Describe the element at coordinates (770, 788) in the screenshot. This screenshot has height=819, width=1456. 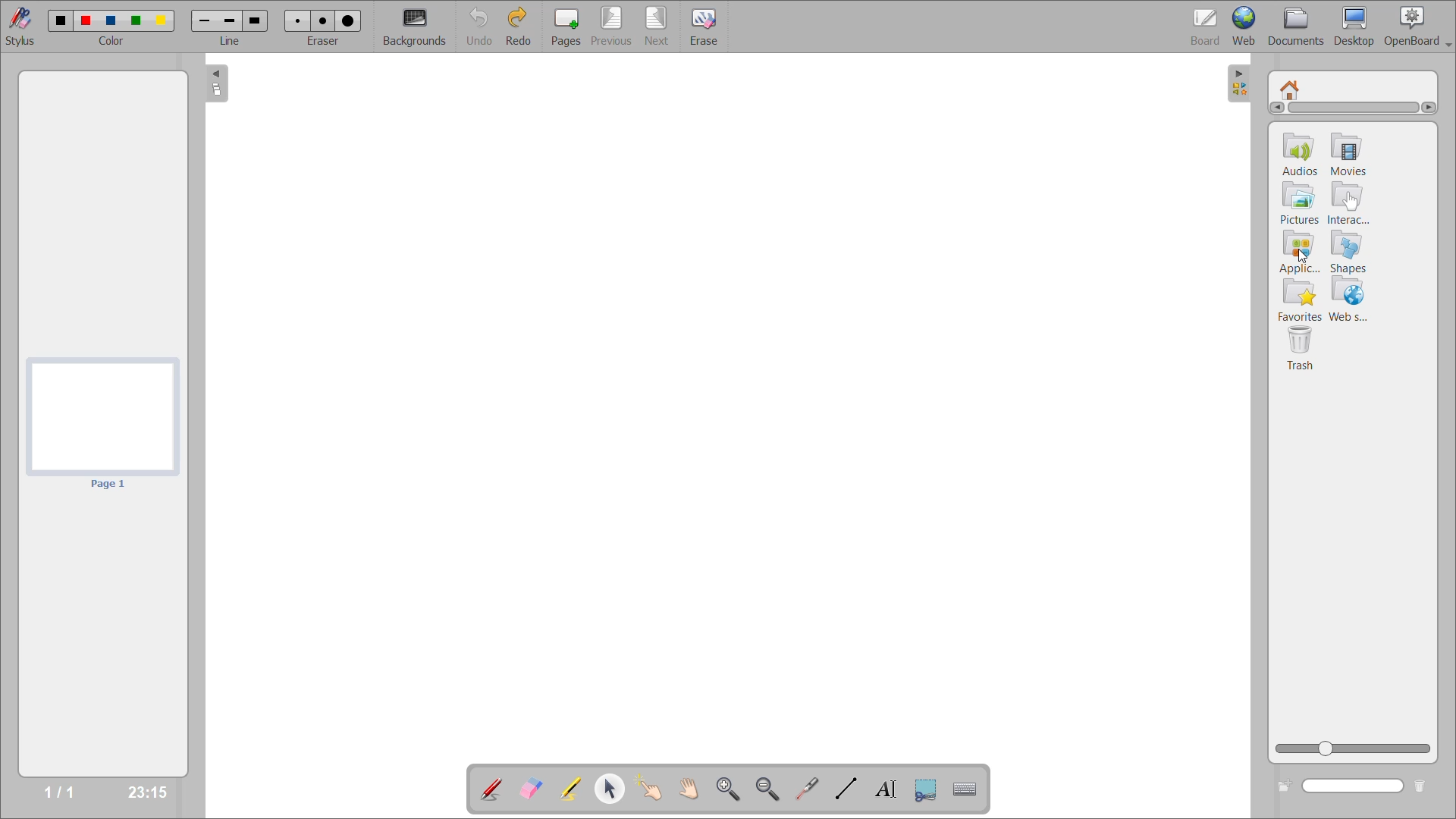
I see `zoom out` at that location.